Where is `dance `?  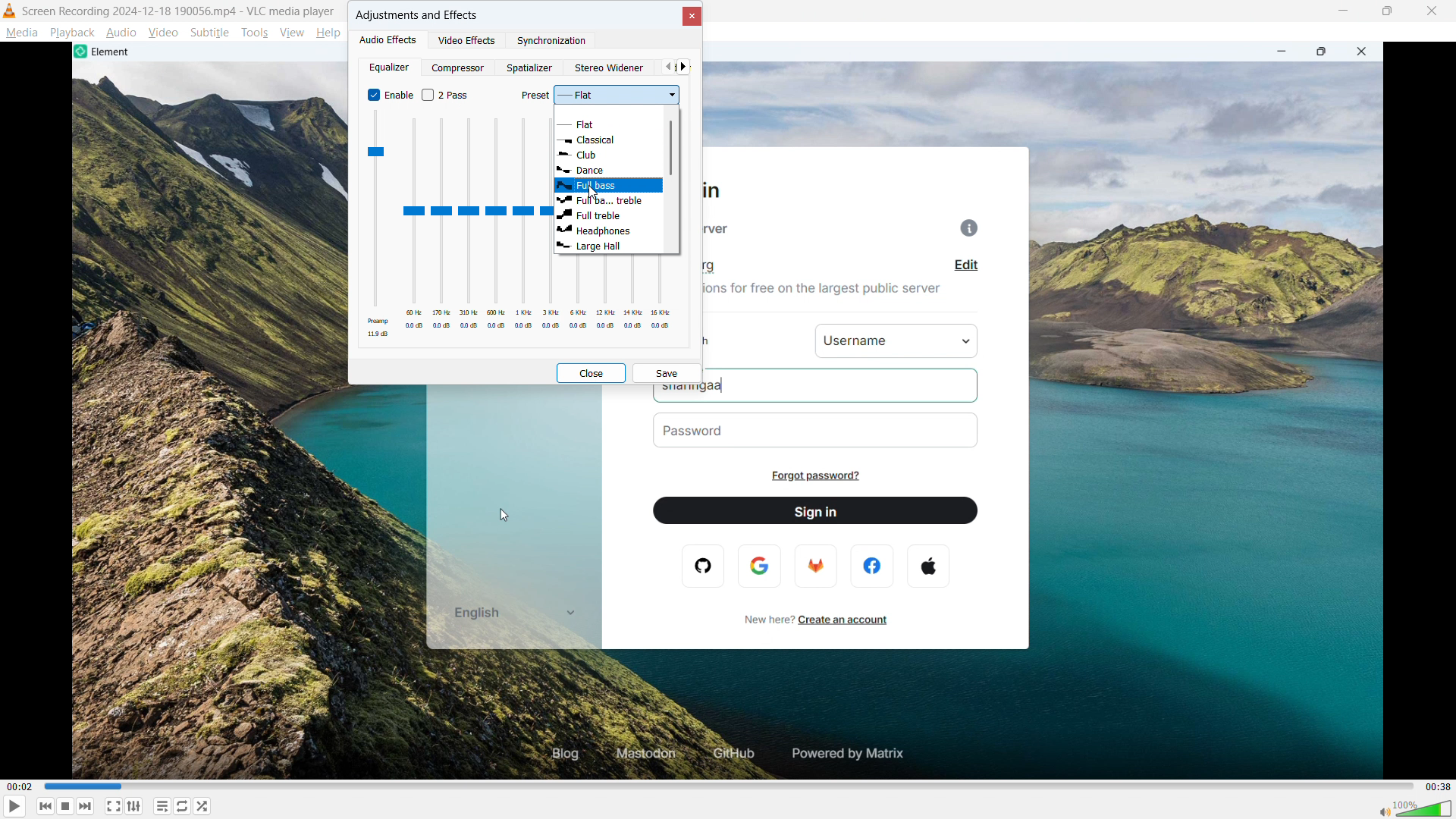
dance  is located at coordinates (601, 168).